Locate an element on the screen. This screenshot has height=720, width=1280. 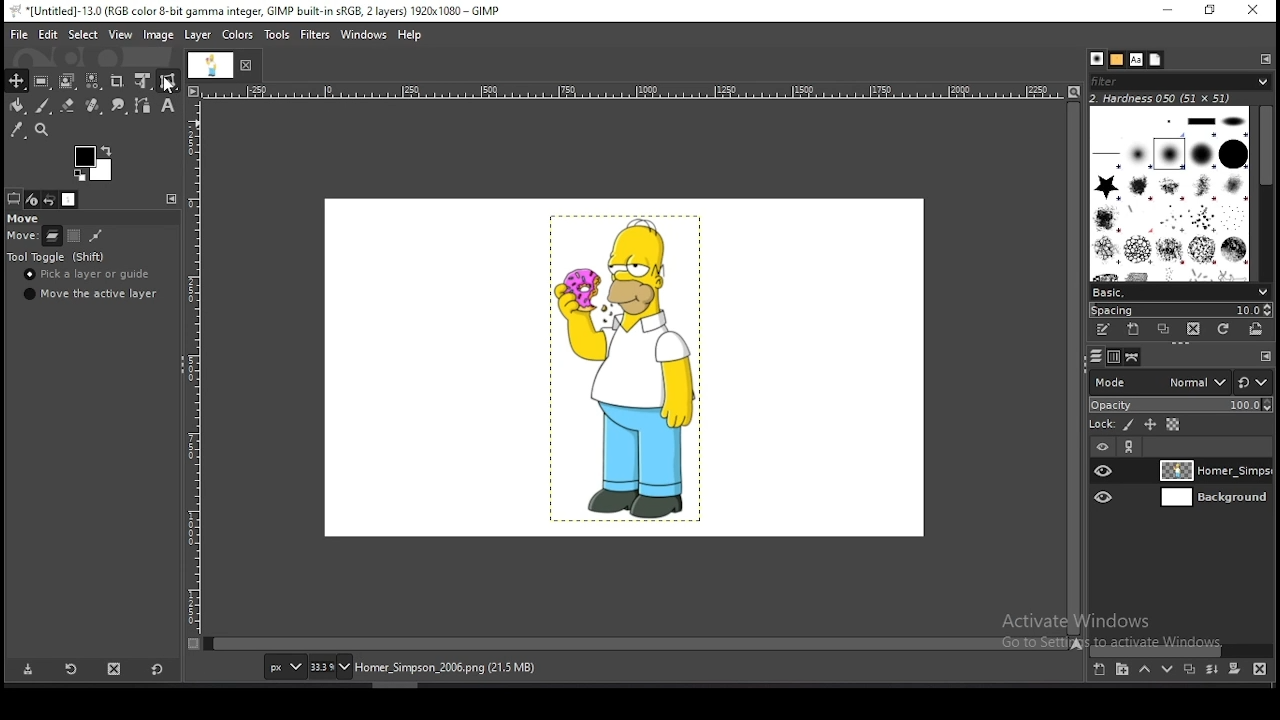
mouse pointer is located at coordinates (168, 84).